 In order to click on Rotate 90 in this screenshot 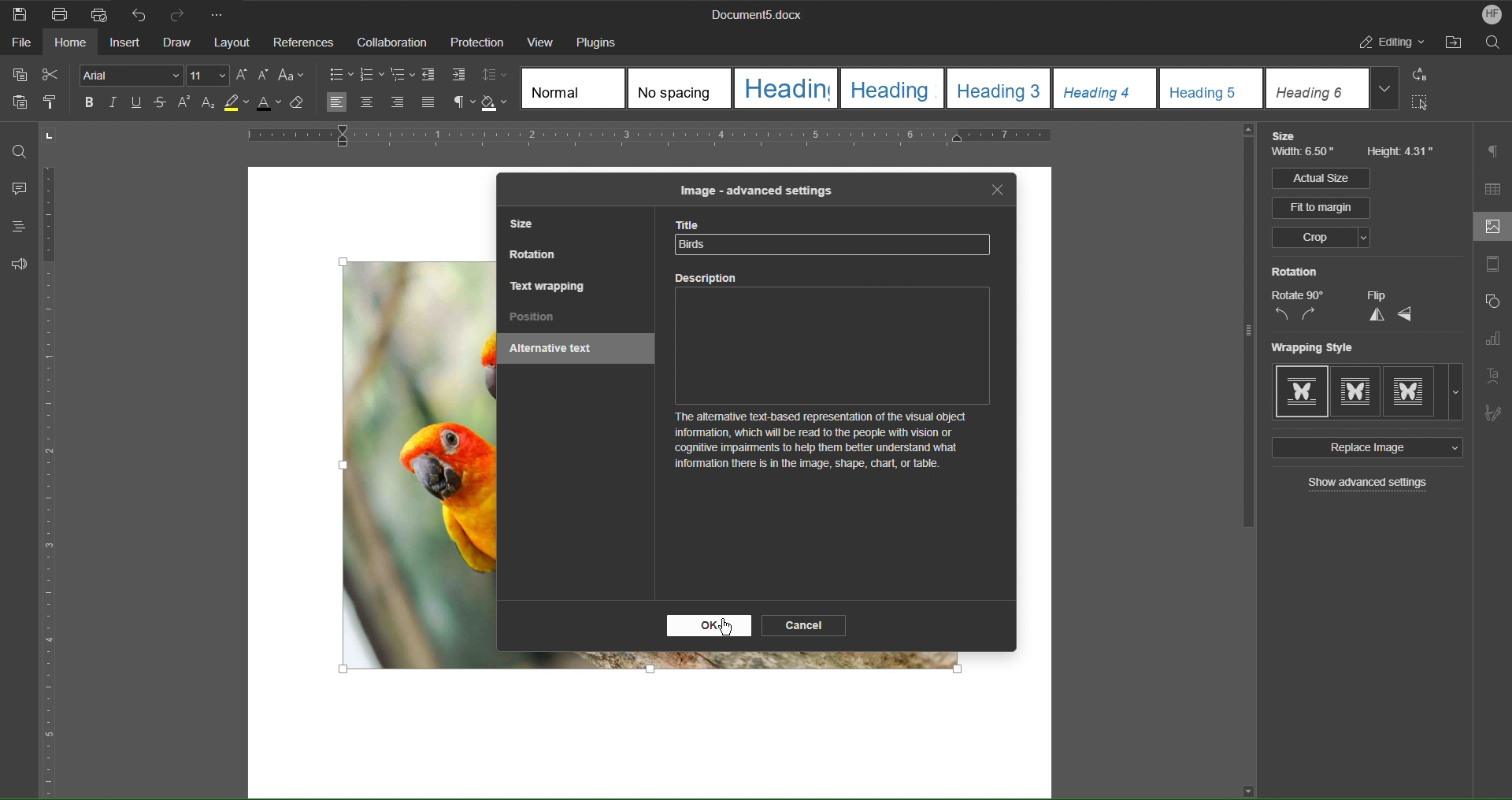, I will do `click(1298, 295)`.